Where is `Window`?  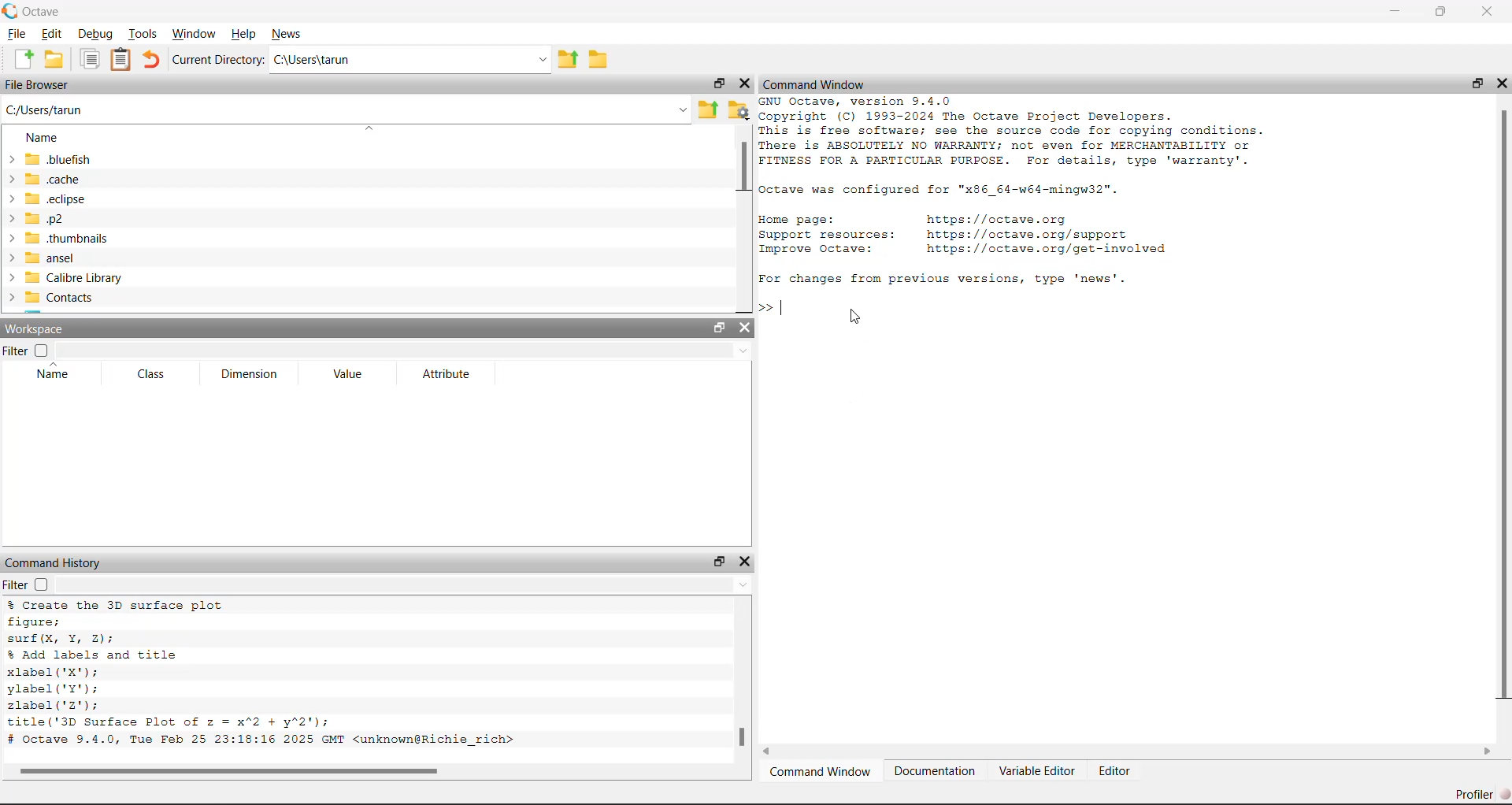 Window is located at coordinates (194, 33).